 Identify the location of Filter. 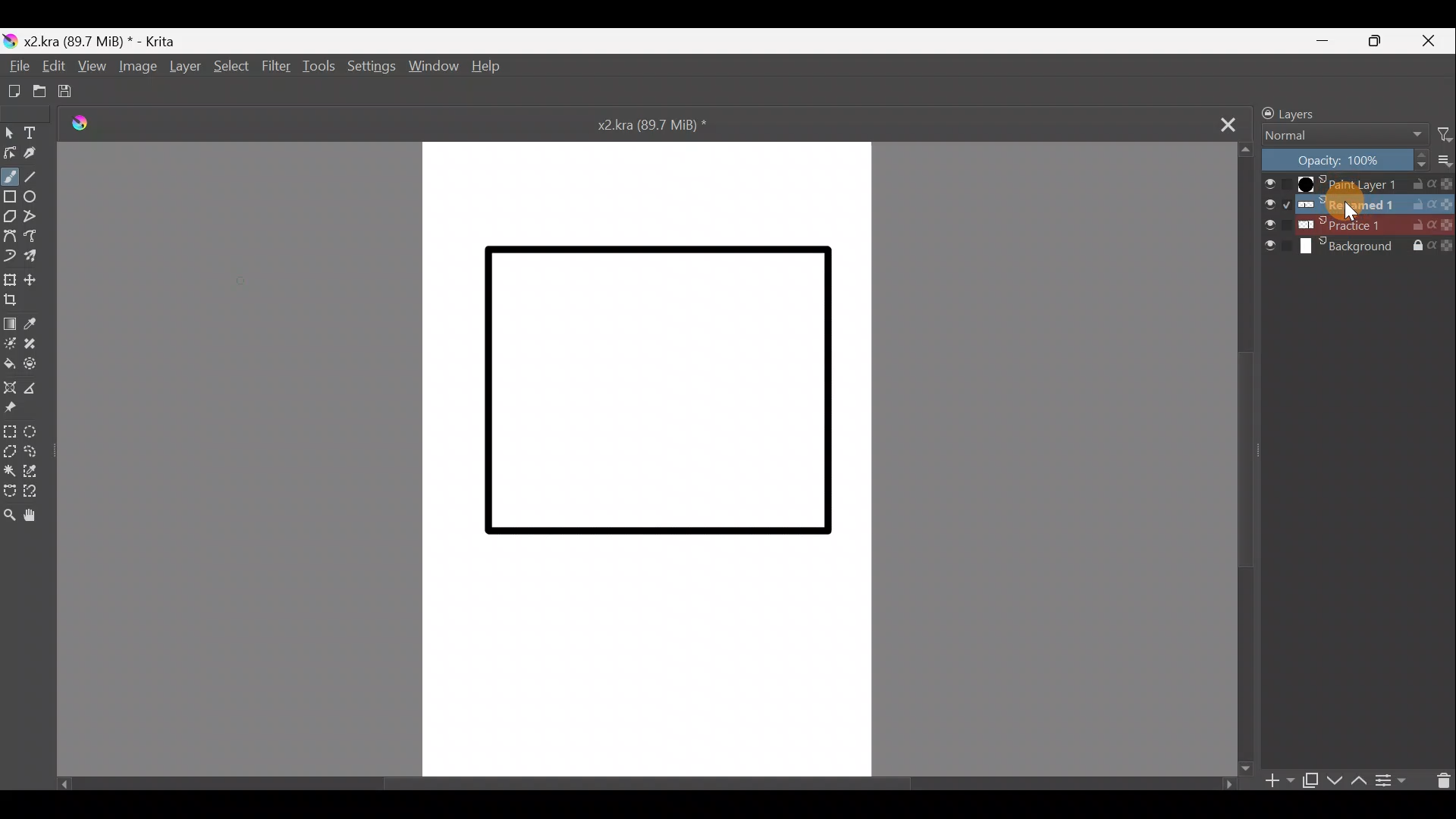
(1443, 135).